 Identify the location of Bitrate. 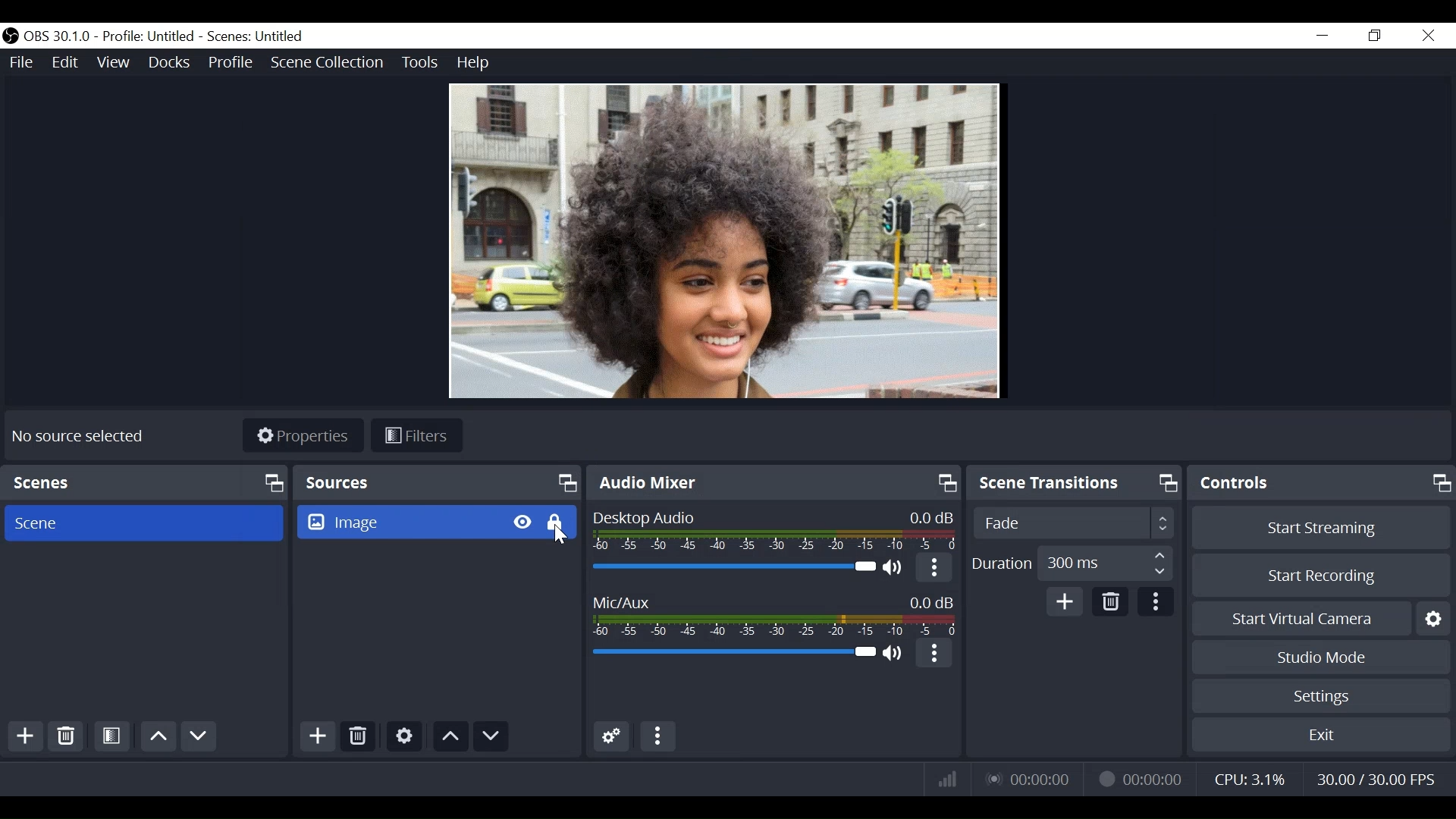
(944, 778).